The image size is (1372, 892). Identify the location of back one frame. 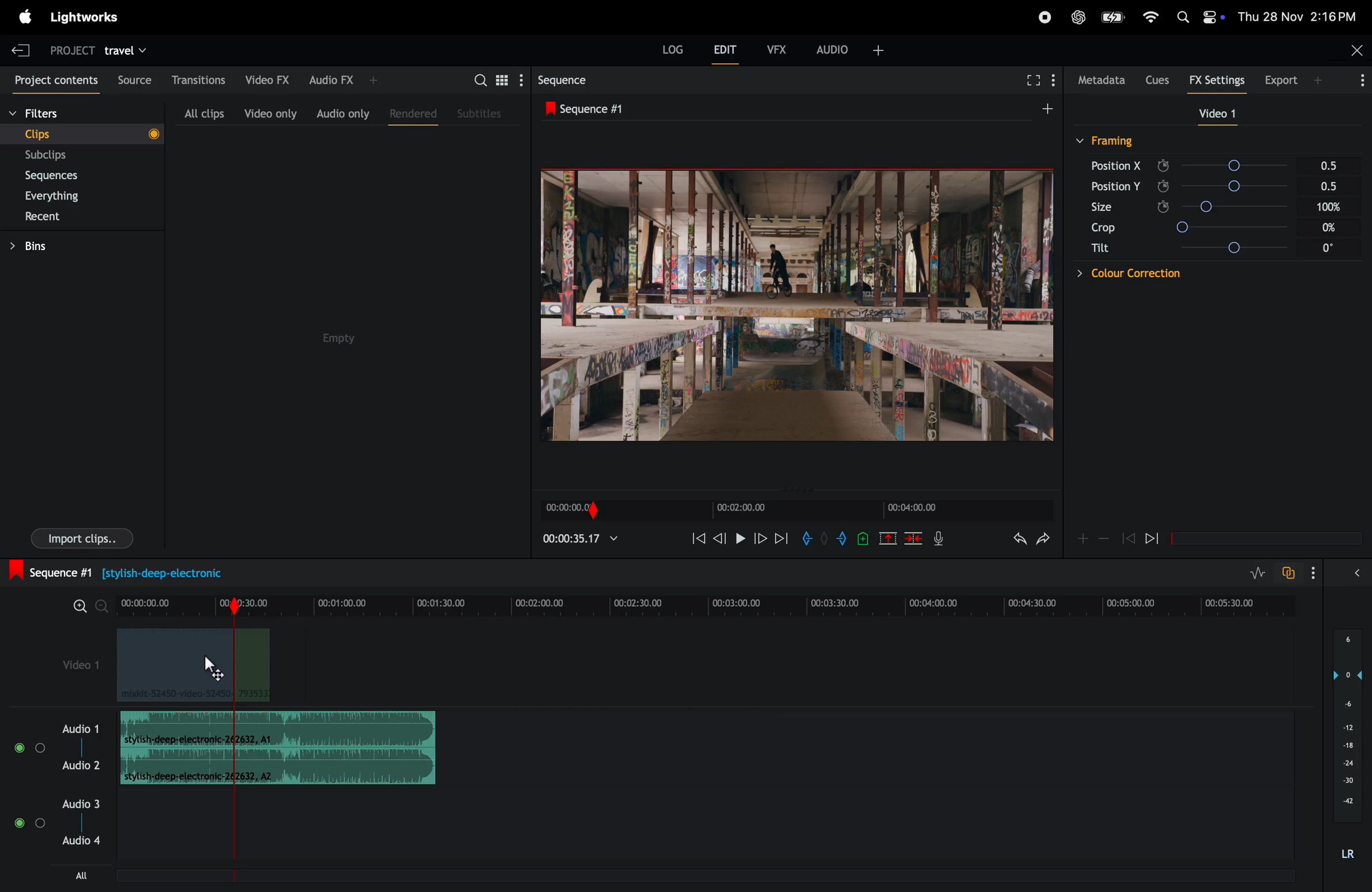
(721, 537).